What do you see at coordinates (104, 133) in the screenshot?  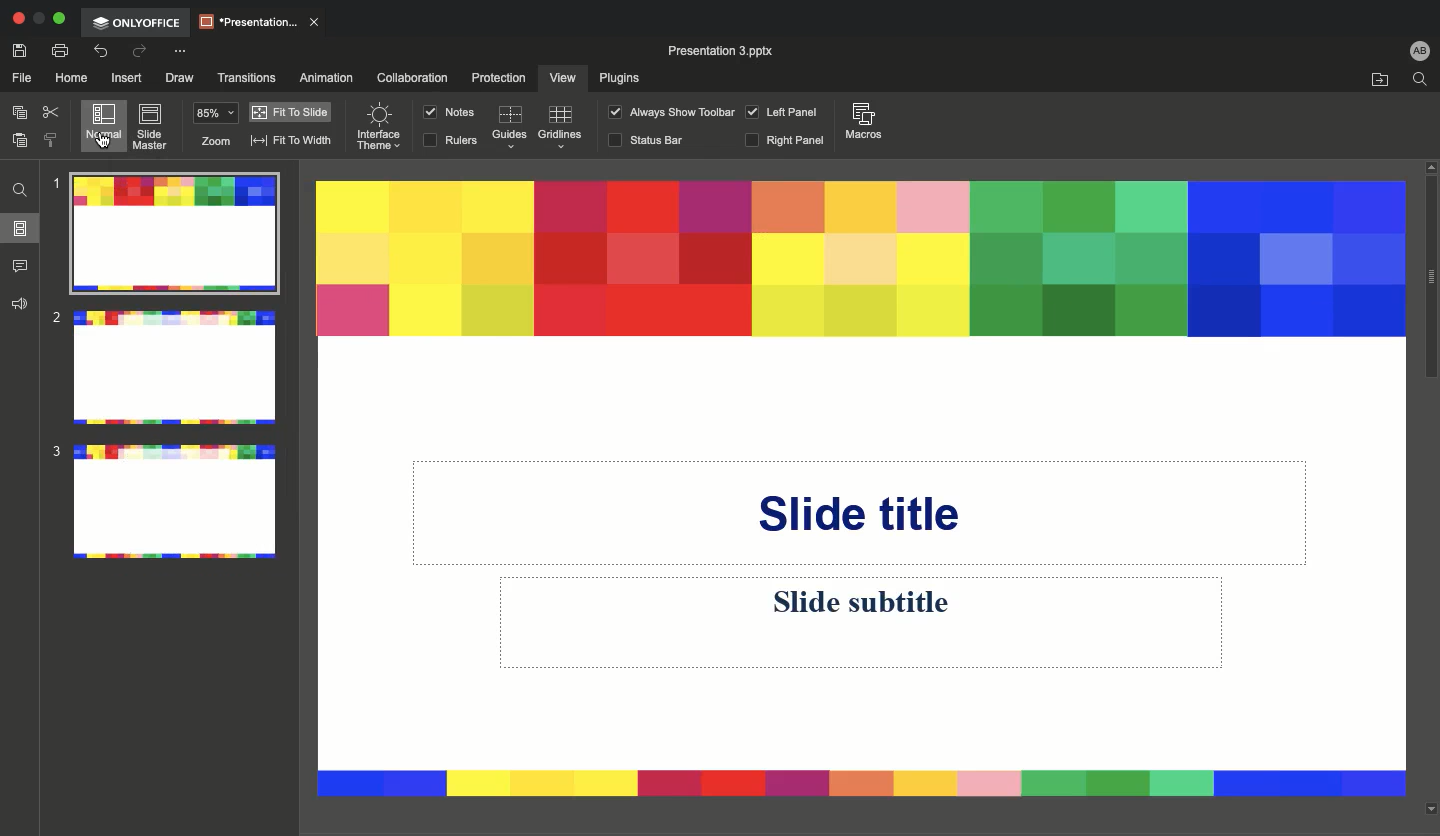 I see `Cursor` at bounding box center [104, 133].